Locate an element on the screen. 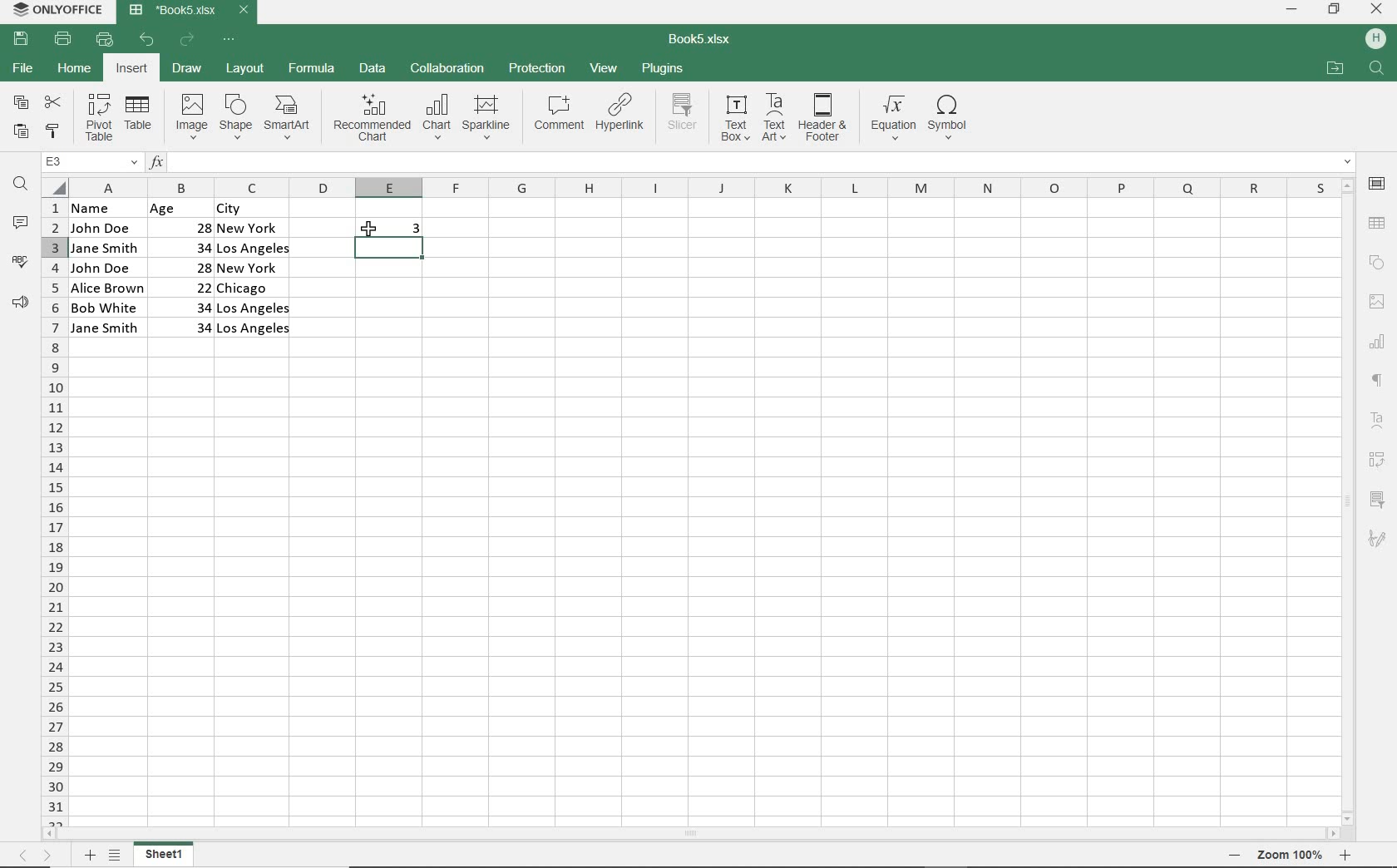  New york is located at coordinates (251, 229).